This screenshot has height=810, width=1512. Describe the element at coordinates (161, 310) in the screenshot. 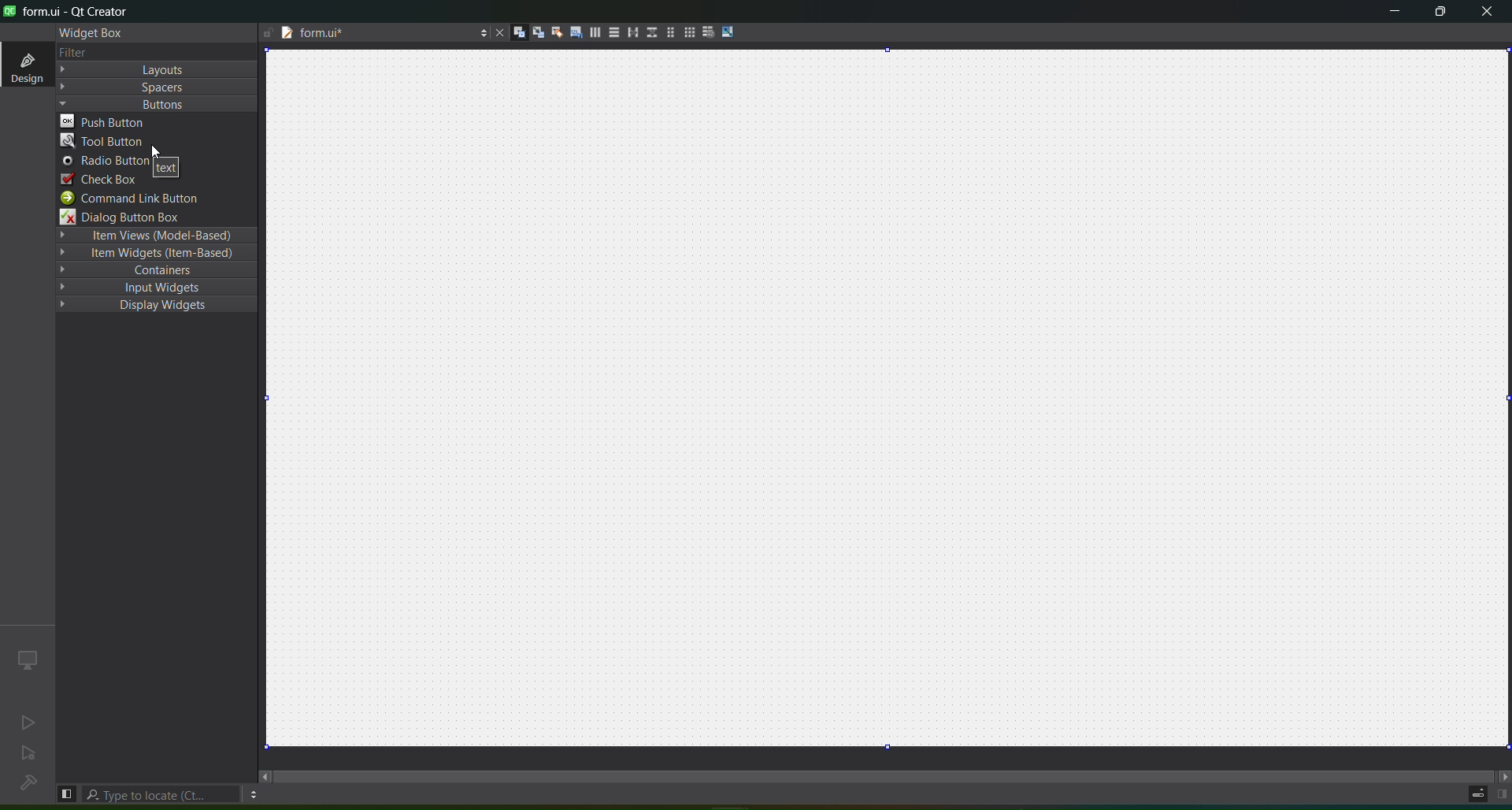

I see `Display Widgets` at that location.